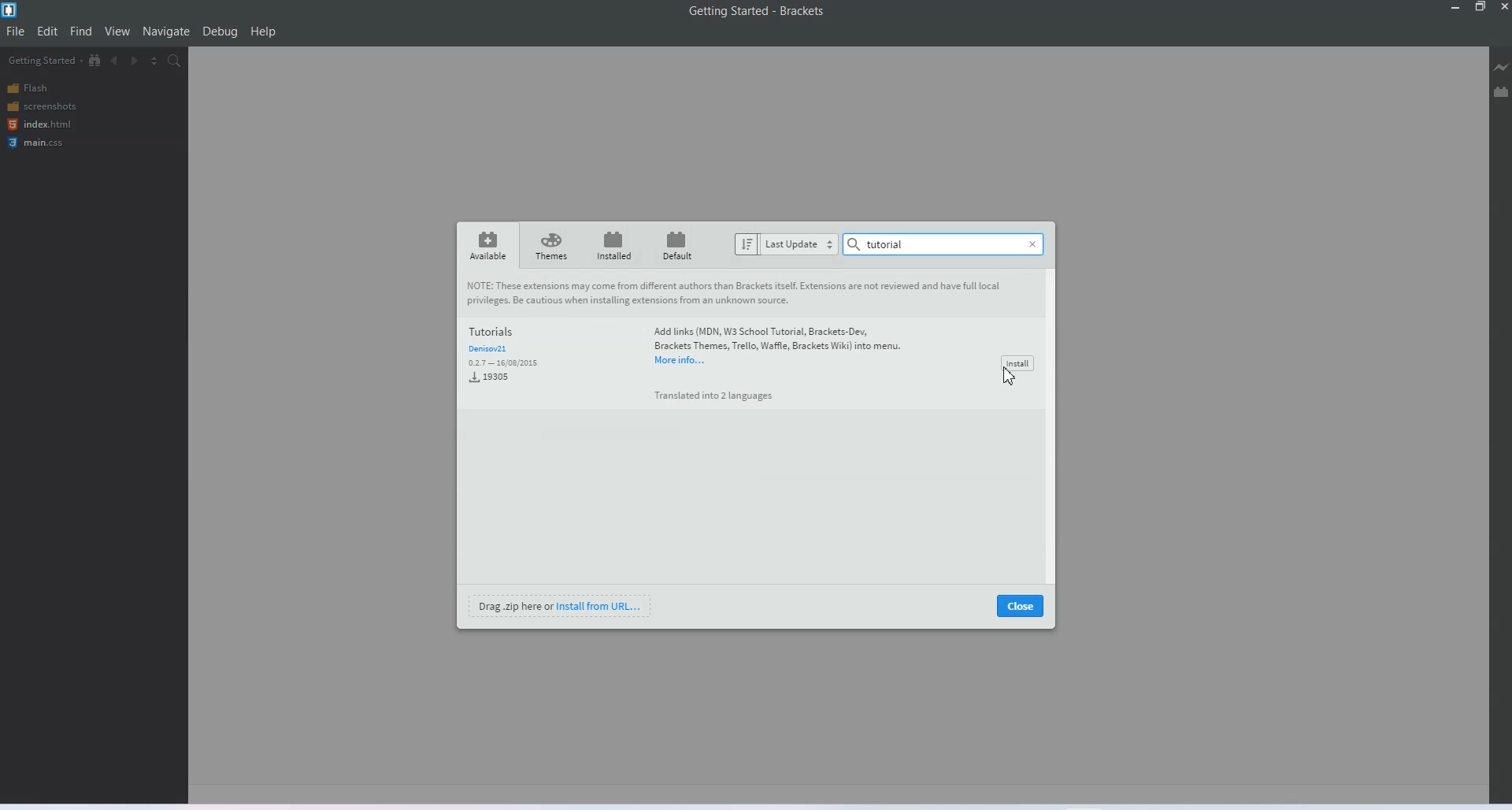 This screenshot has height=810, width=1512. Describe the element at coordinates (561, 605) in the screenshot. I see `Install from URL` at that location.